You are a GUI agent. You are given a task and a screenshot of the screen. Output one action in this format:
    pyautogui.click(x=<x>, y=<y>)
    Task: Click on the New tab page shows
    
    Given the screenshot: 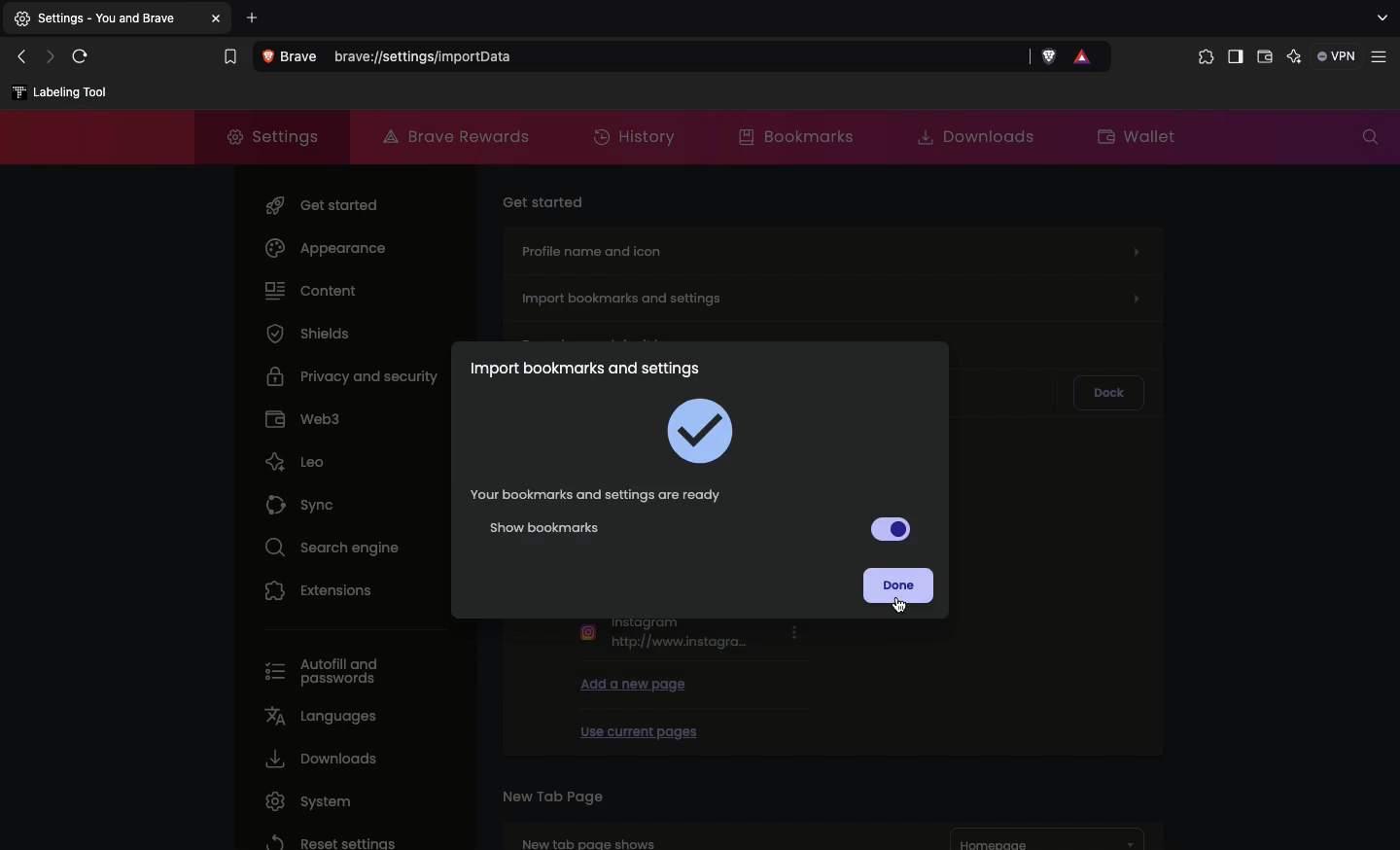 What is the action you would take?
    pyautogui.click(x=700, y=834)
    